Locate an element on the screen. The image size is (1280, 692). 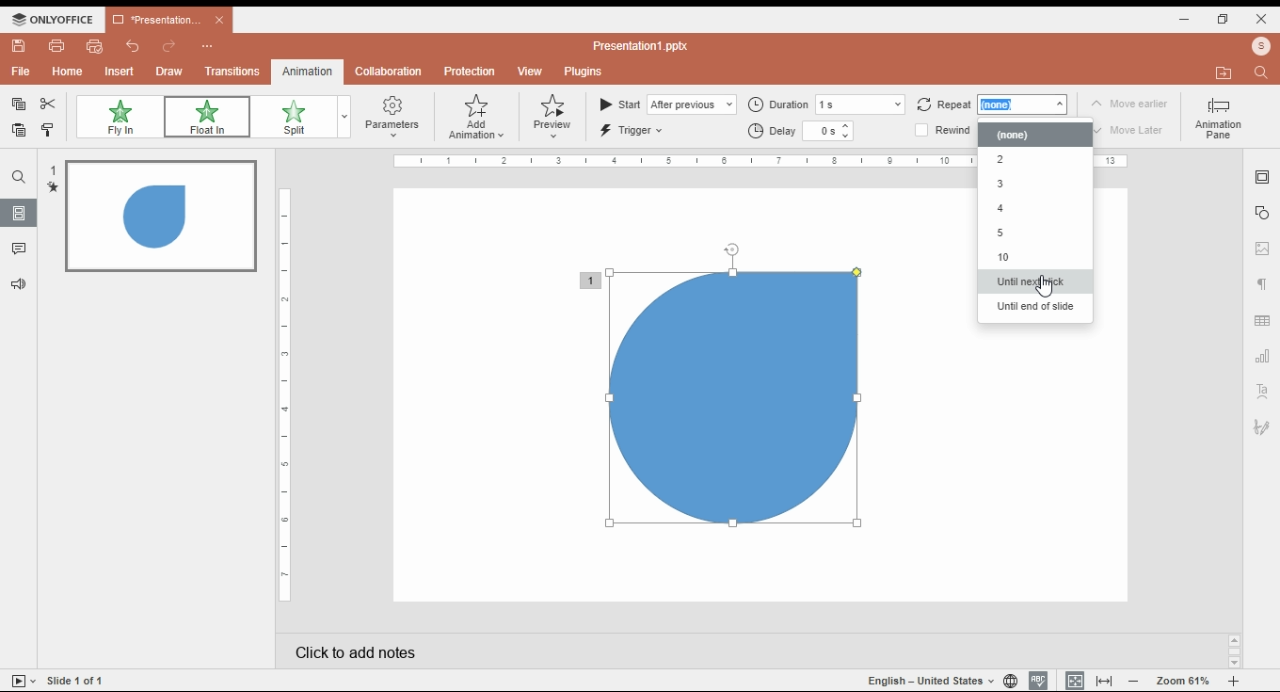
mouse pointer is located at coordinates (1047, 284).